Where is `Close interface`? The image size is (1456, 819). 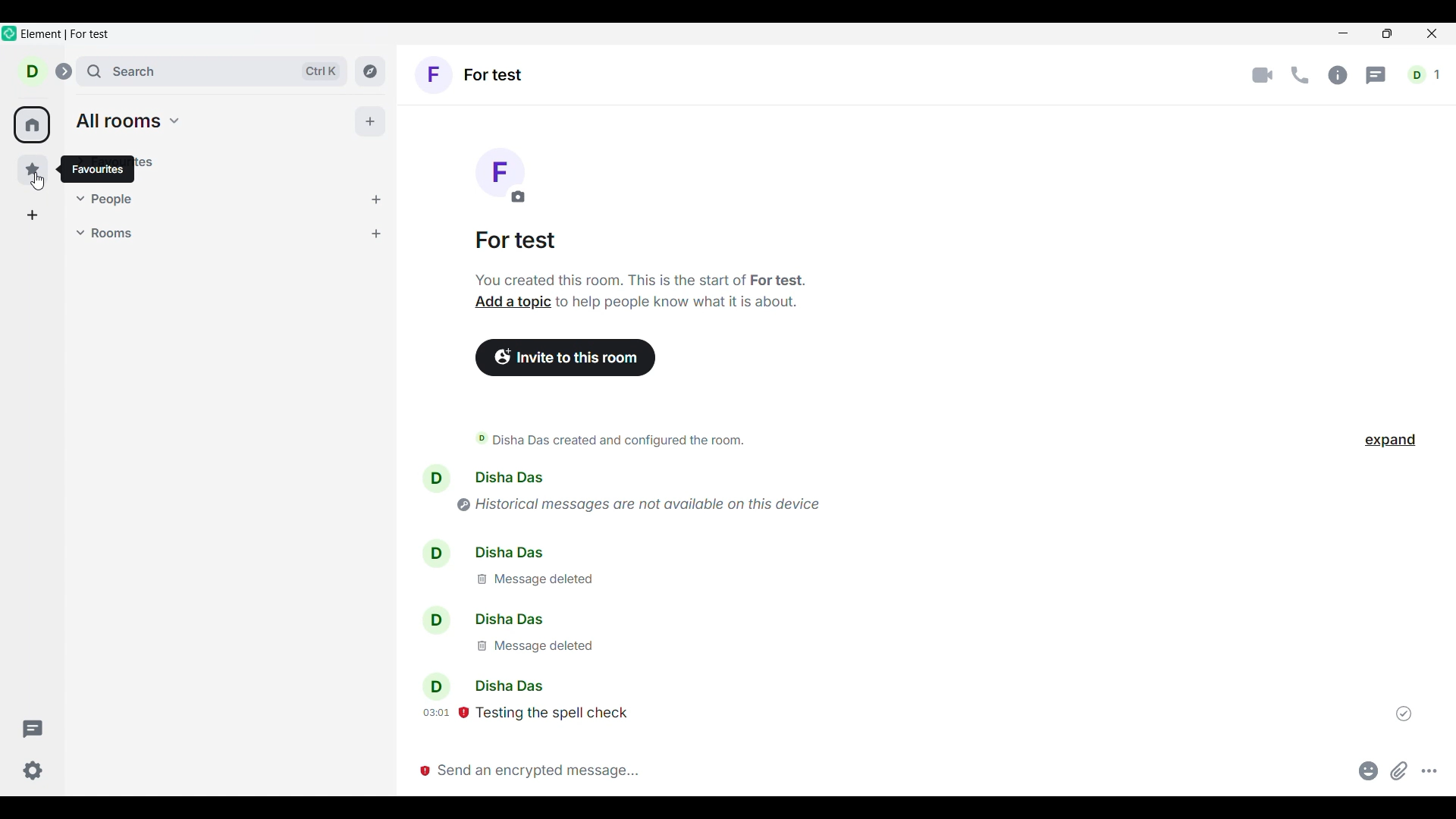
Close interface is located at coordinates (1432, 33).